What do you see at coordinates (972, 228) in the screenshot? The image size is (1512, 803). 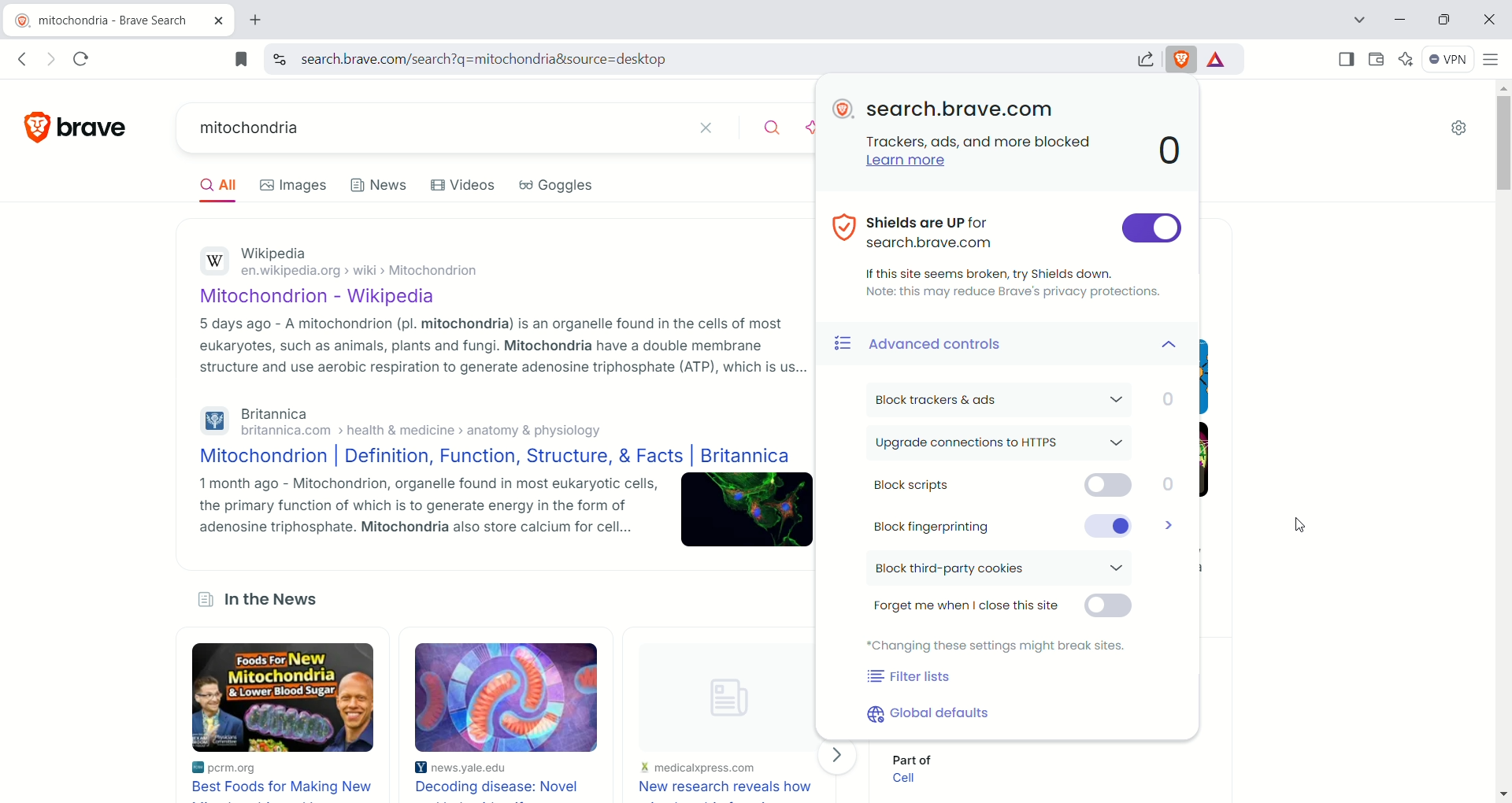 I see `shields are up for search.brave.com` at bounding box center [972, 228].